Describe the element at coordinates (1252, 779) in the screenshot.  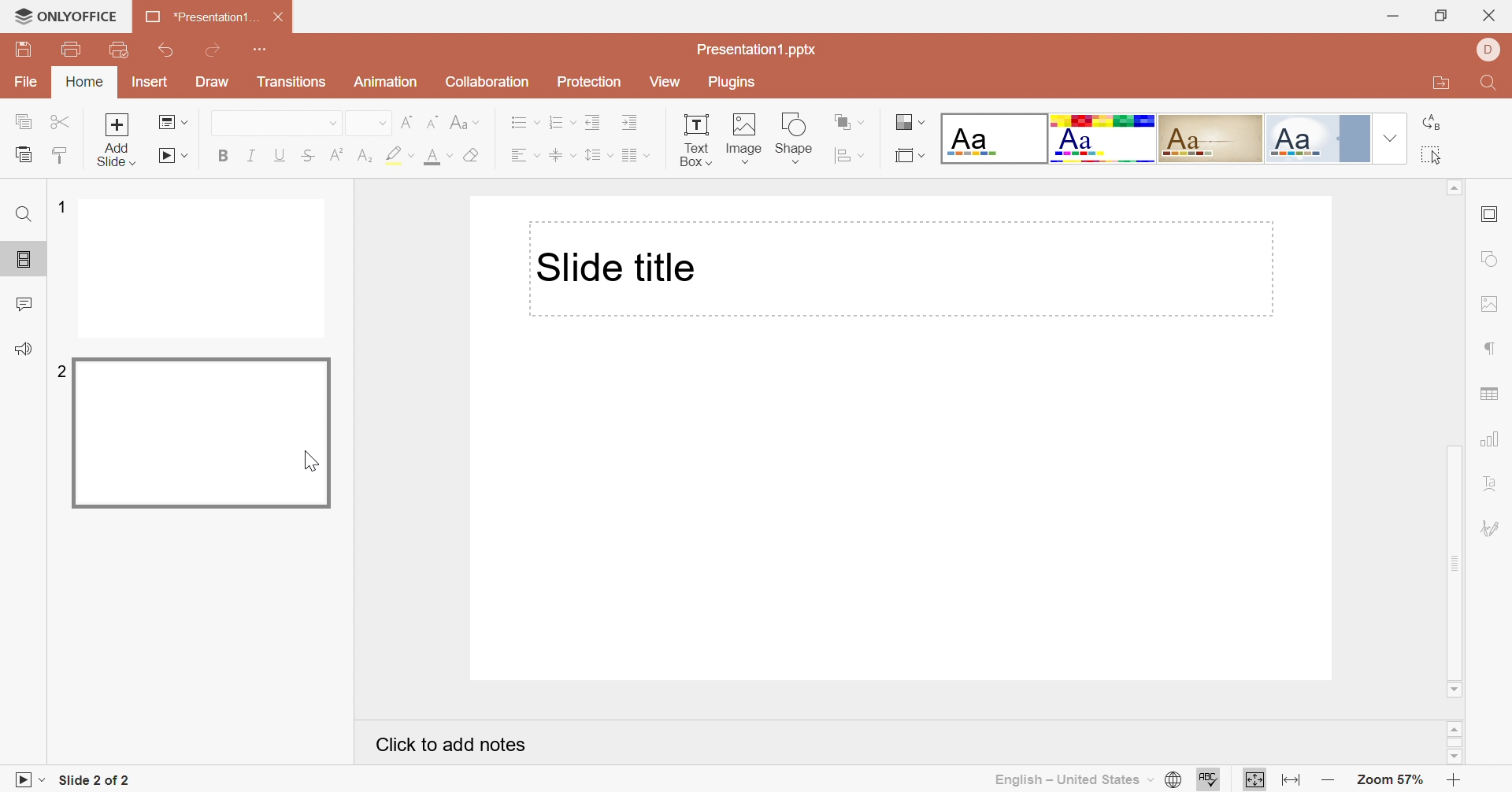
I see `Fit to Slide` at that location.